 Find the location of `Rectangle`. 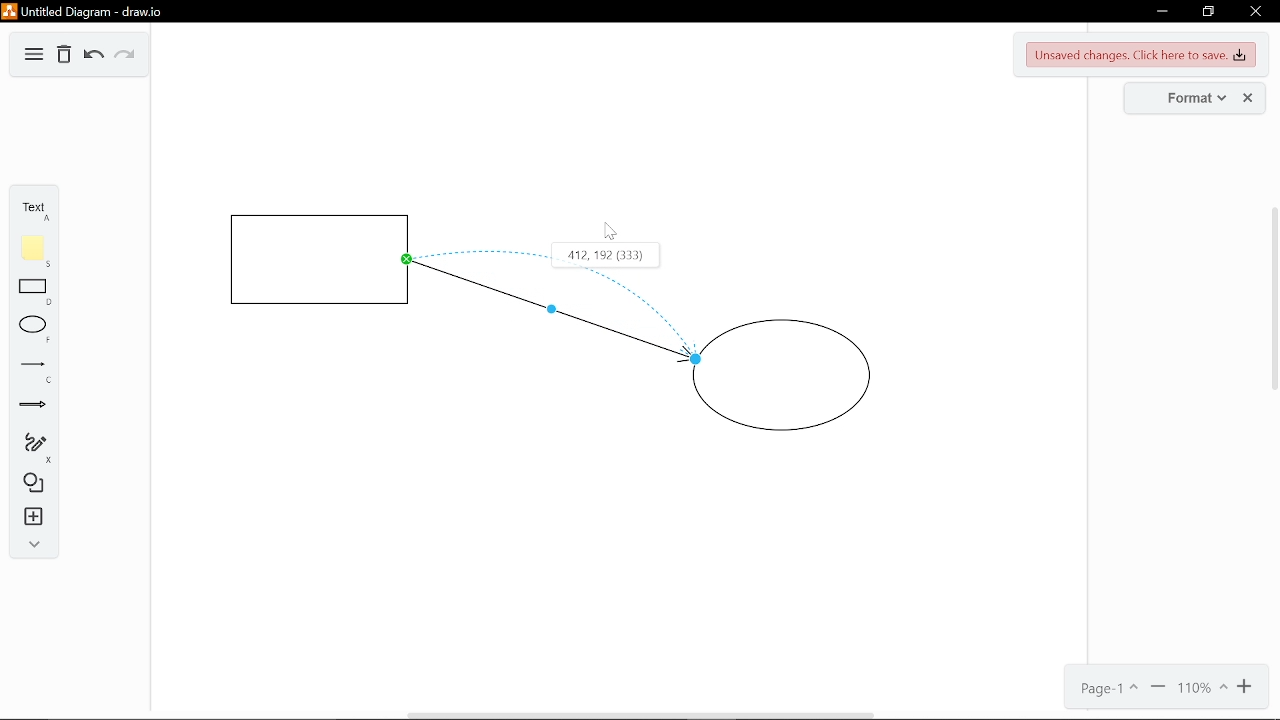

Rectangle is located at coordinates (32, 292).